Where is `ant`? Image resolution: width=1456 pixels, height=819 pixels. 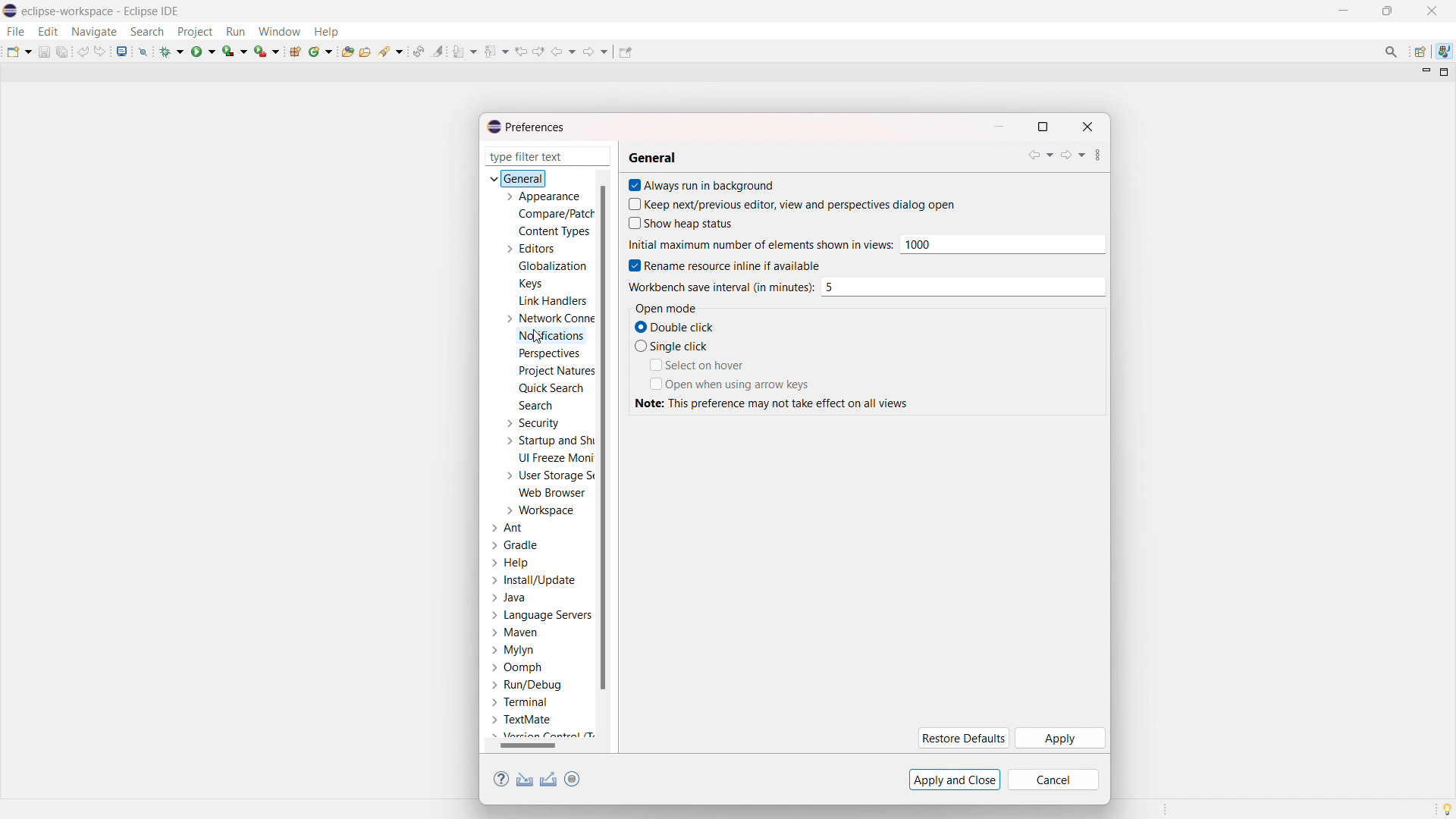
ant is located at coordinates (509, 529).